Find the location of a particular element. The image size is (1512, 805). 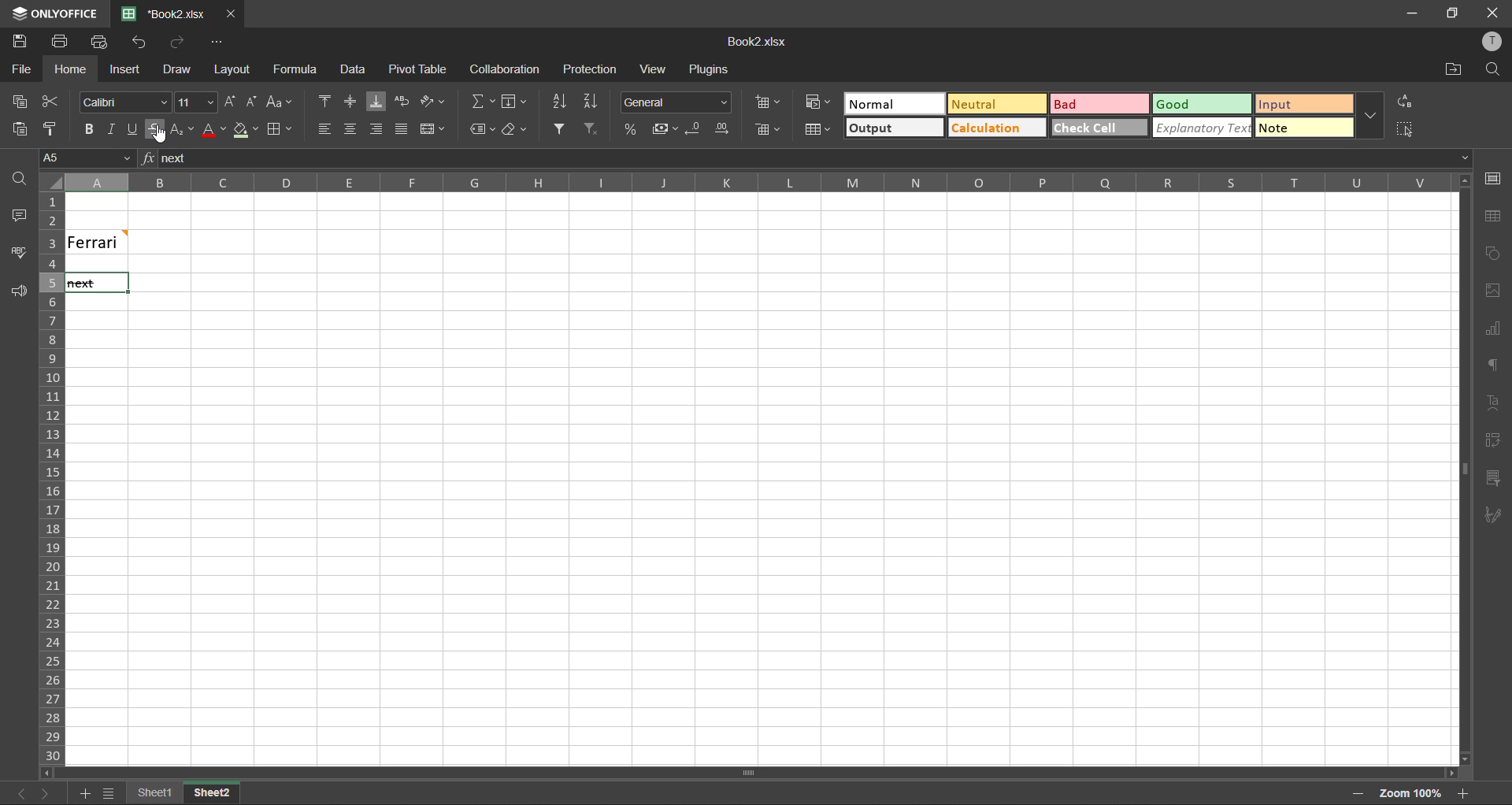

home is located at coordinates (70, 69).